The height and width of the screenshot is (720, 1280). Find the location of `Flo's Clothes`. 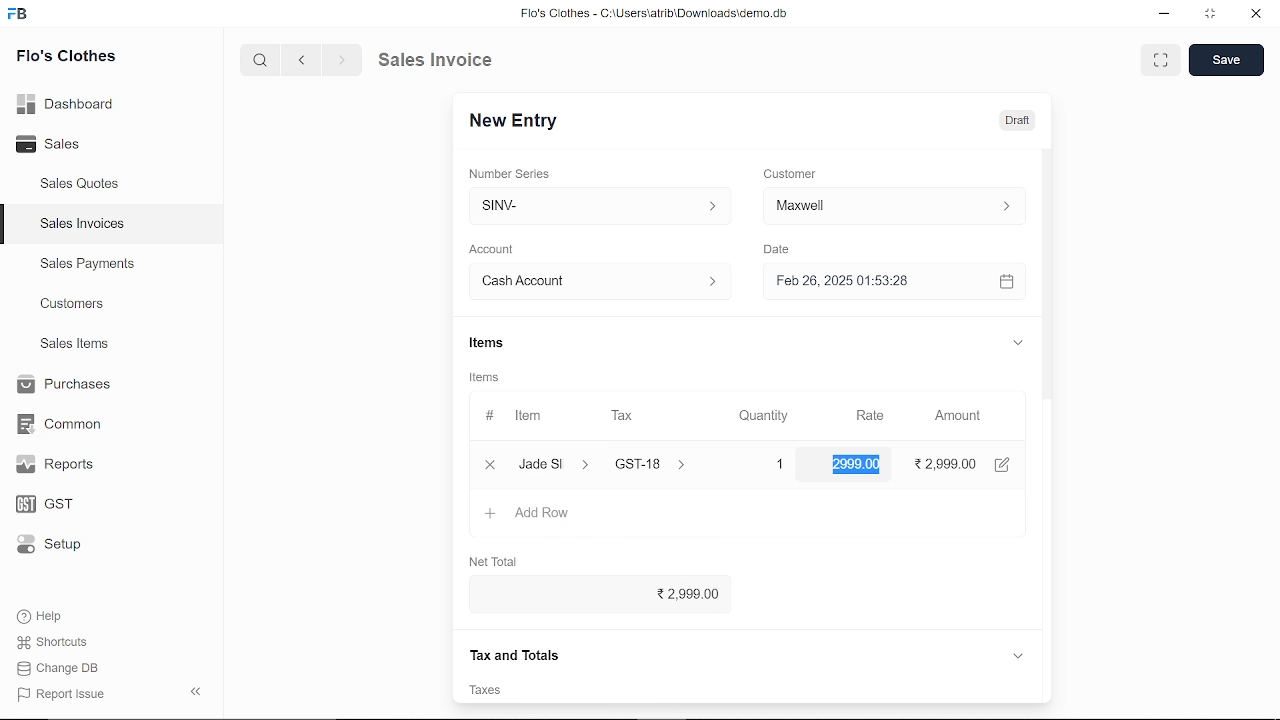

Flo's Clothes is located at coordinates (66, 58).